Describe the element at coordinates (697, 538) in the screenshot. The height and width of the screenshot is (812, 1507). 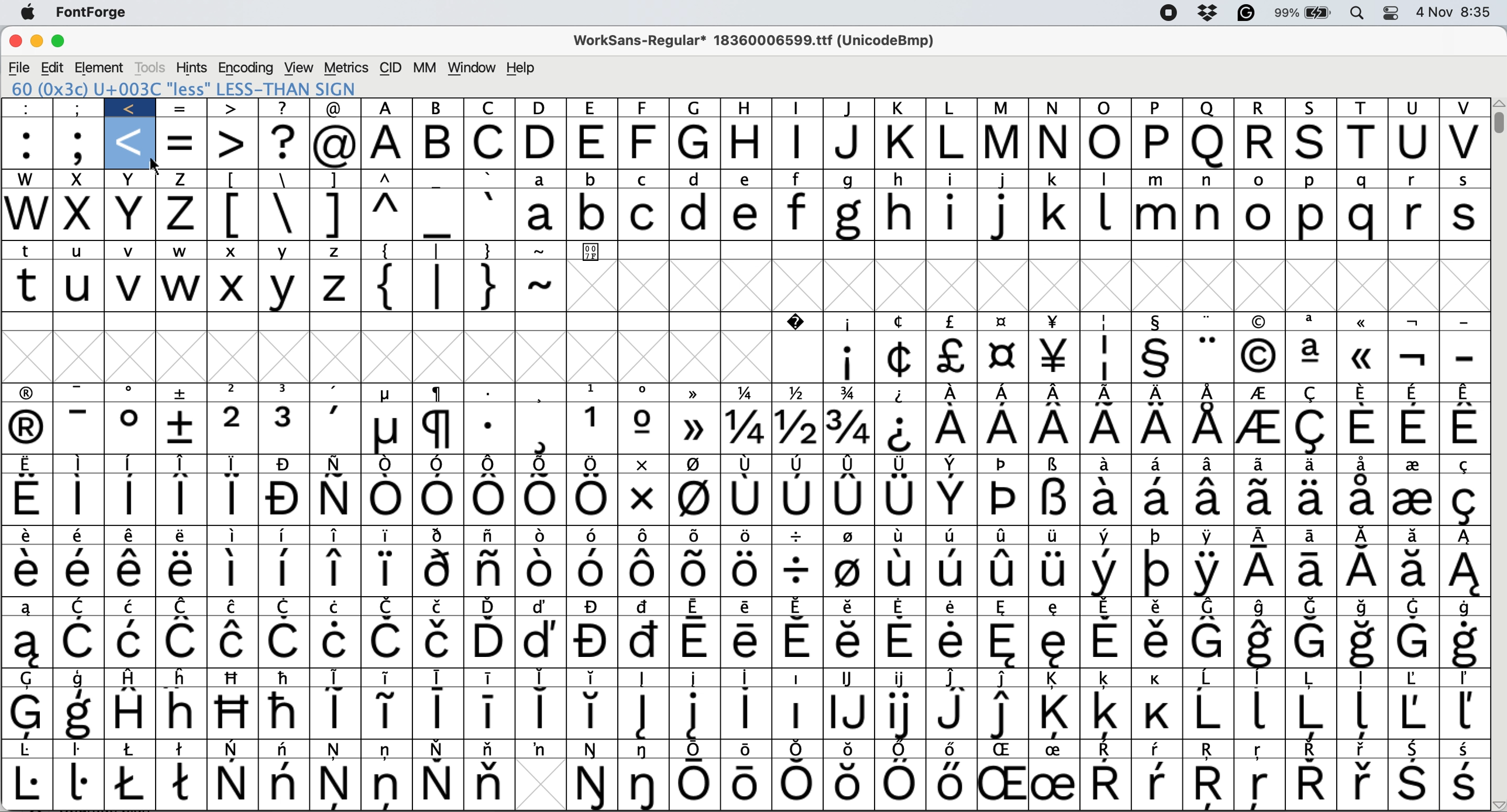
I see `Symbol` at that location.